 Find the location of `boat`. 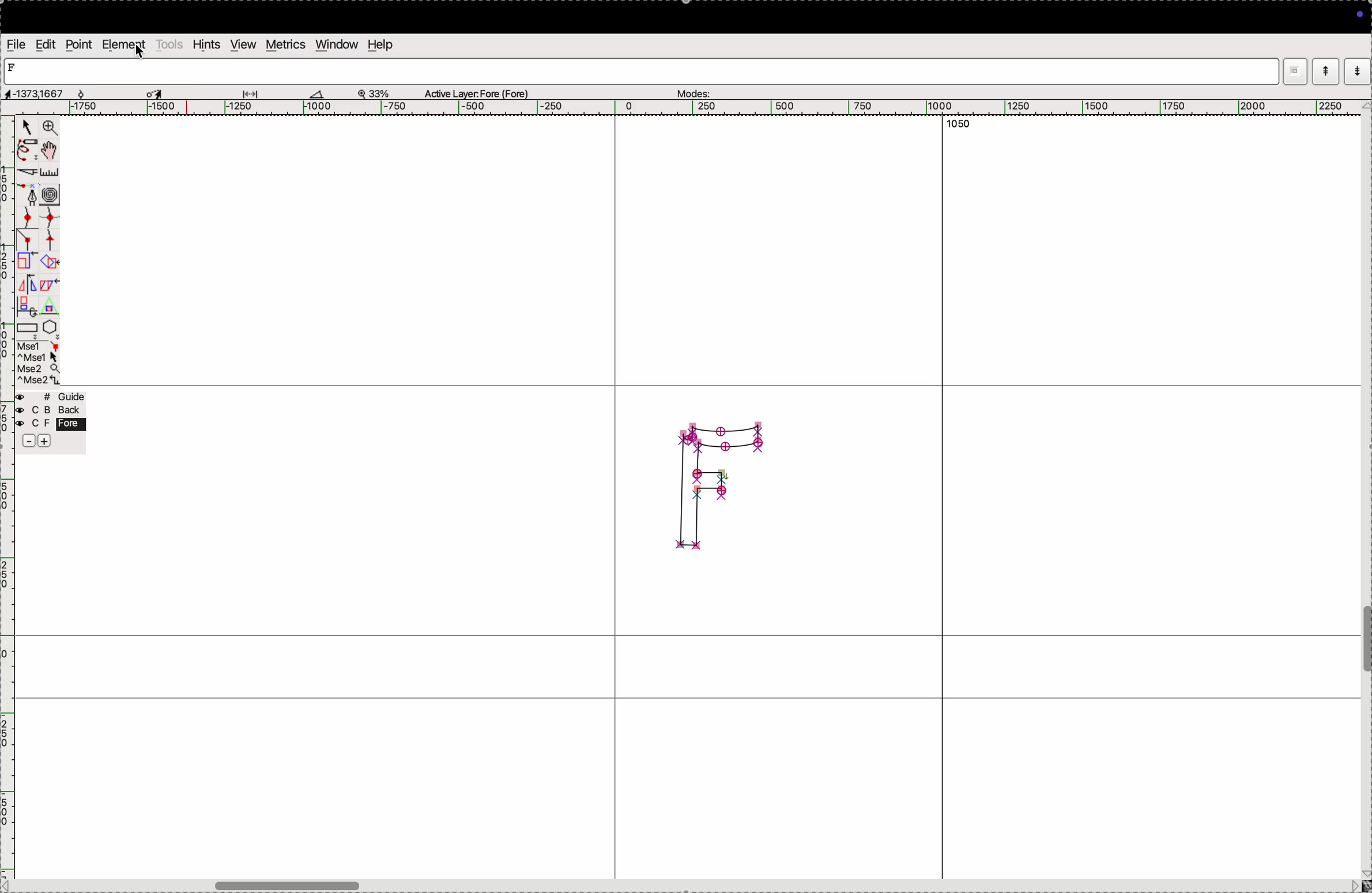

boat is located at coordinates (322, 93).